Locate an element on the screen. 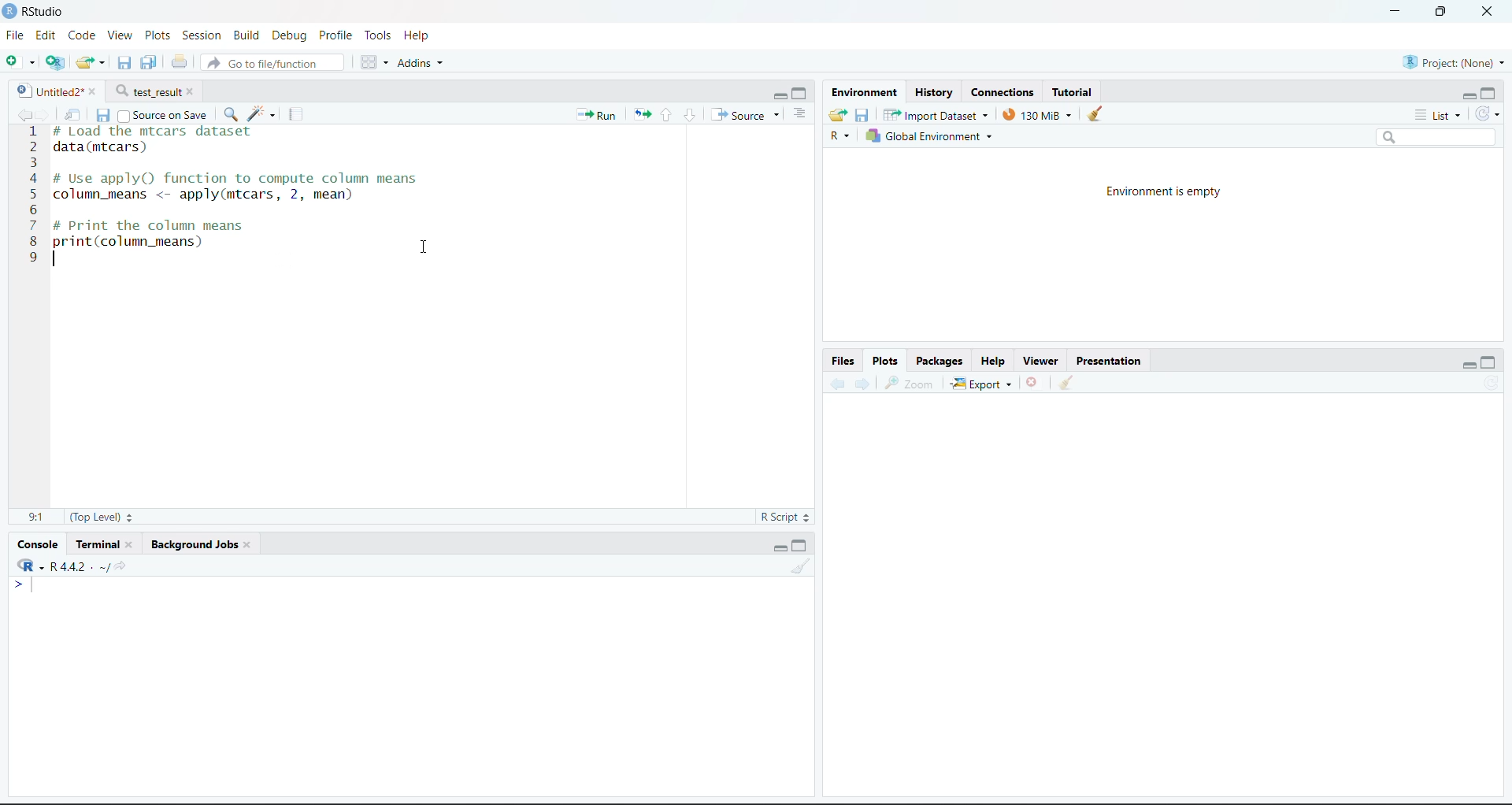  Clear console (Ctrl +L) is located at coordinates (1071, 380).